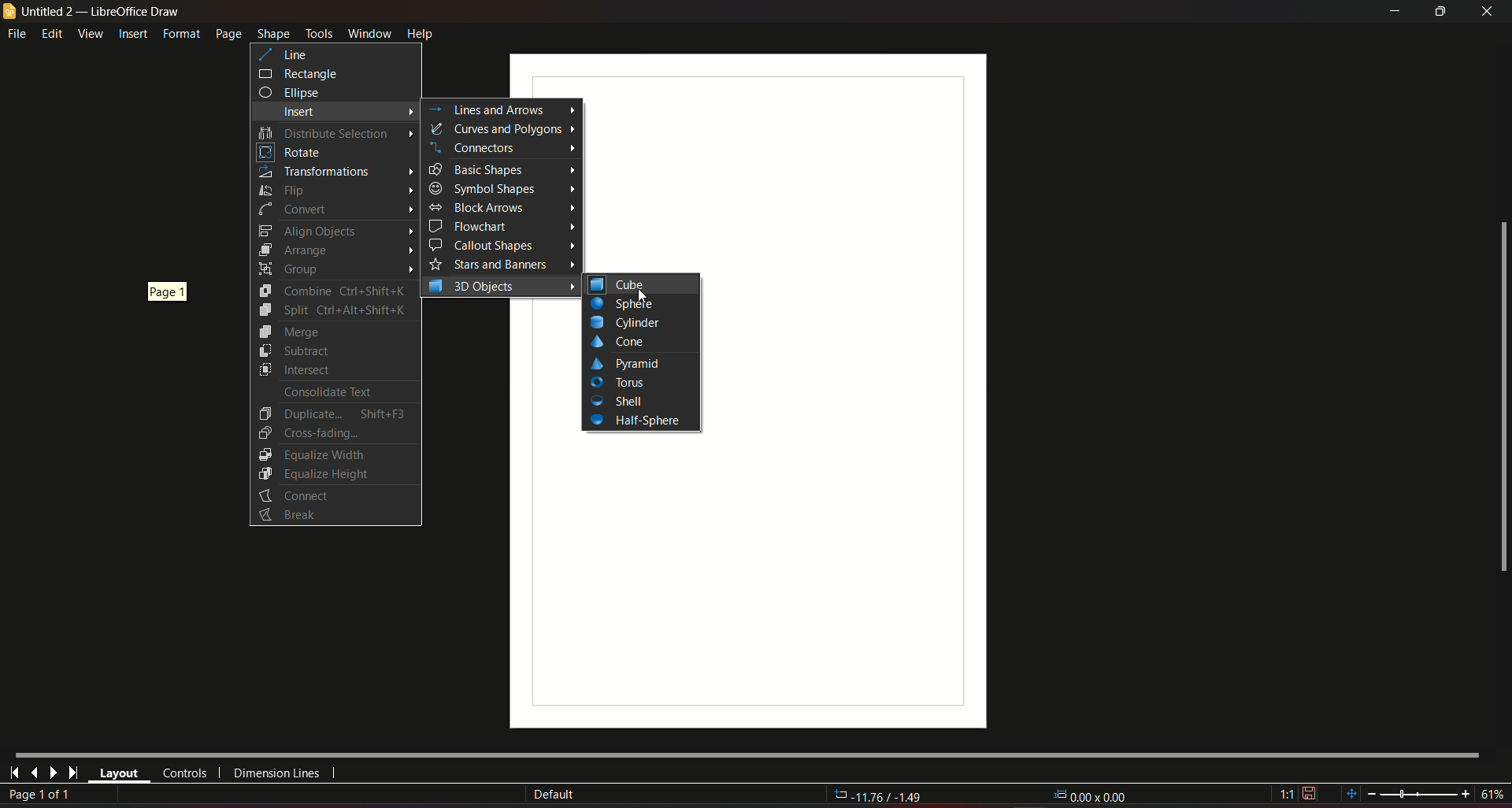 This screenshot has height=808, width=1512. What do you see at coordinates (289, 54) in the screenshot?
I see `line` at bounding box center [289, 54].